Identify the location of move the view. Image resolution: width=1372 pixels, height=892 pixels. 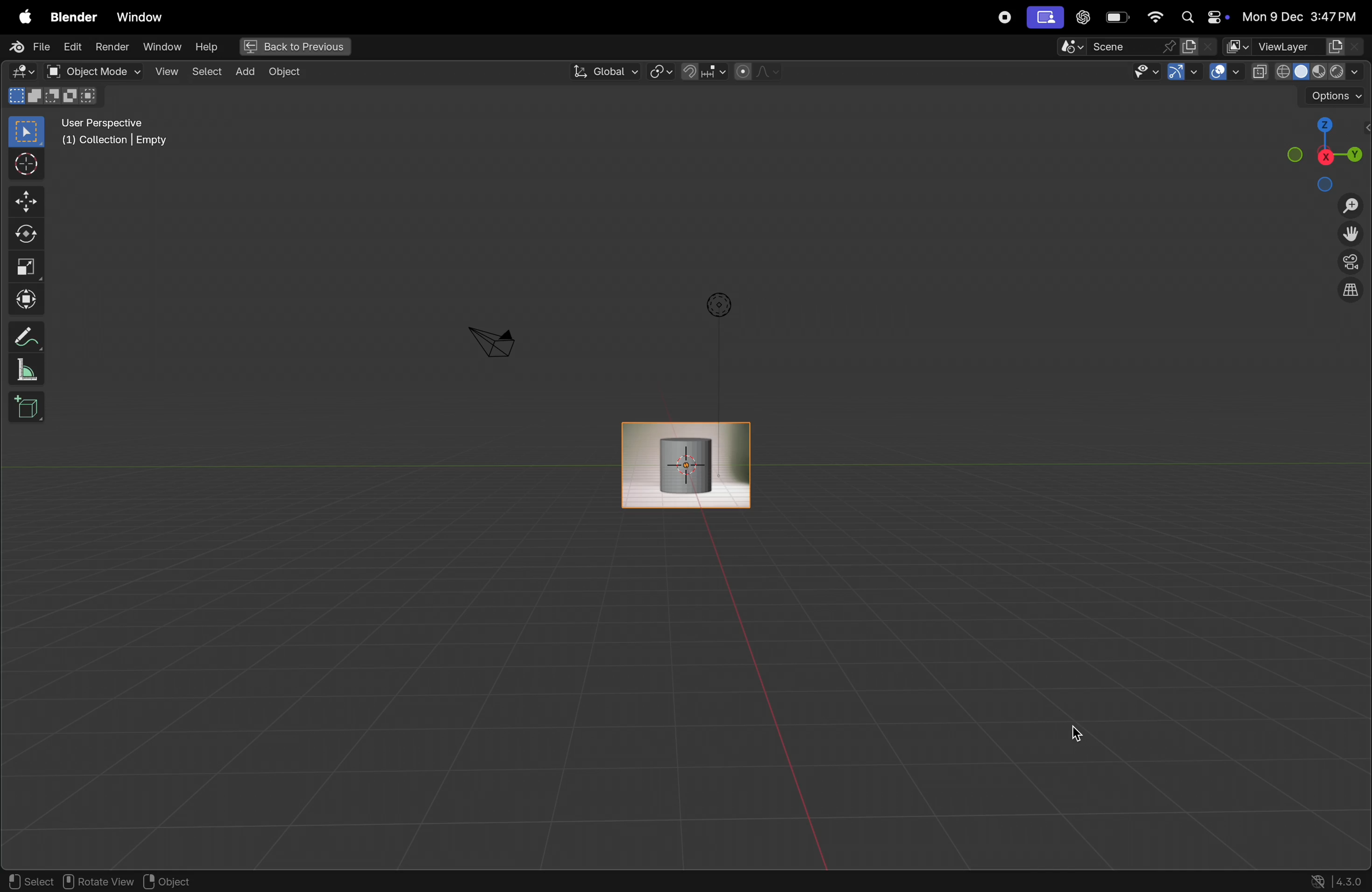
(1353, 235).